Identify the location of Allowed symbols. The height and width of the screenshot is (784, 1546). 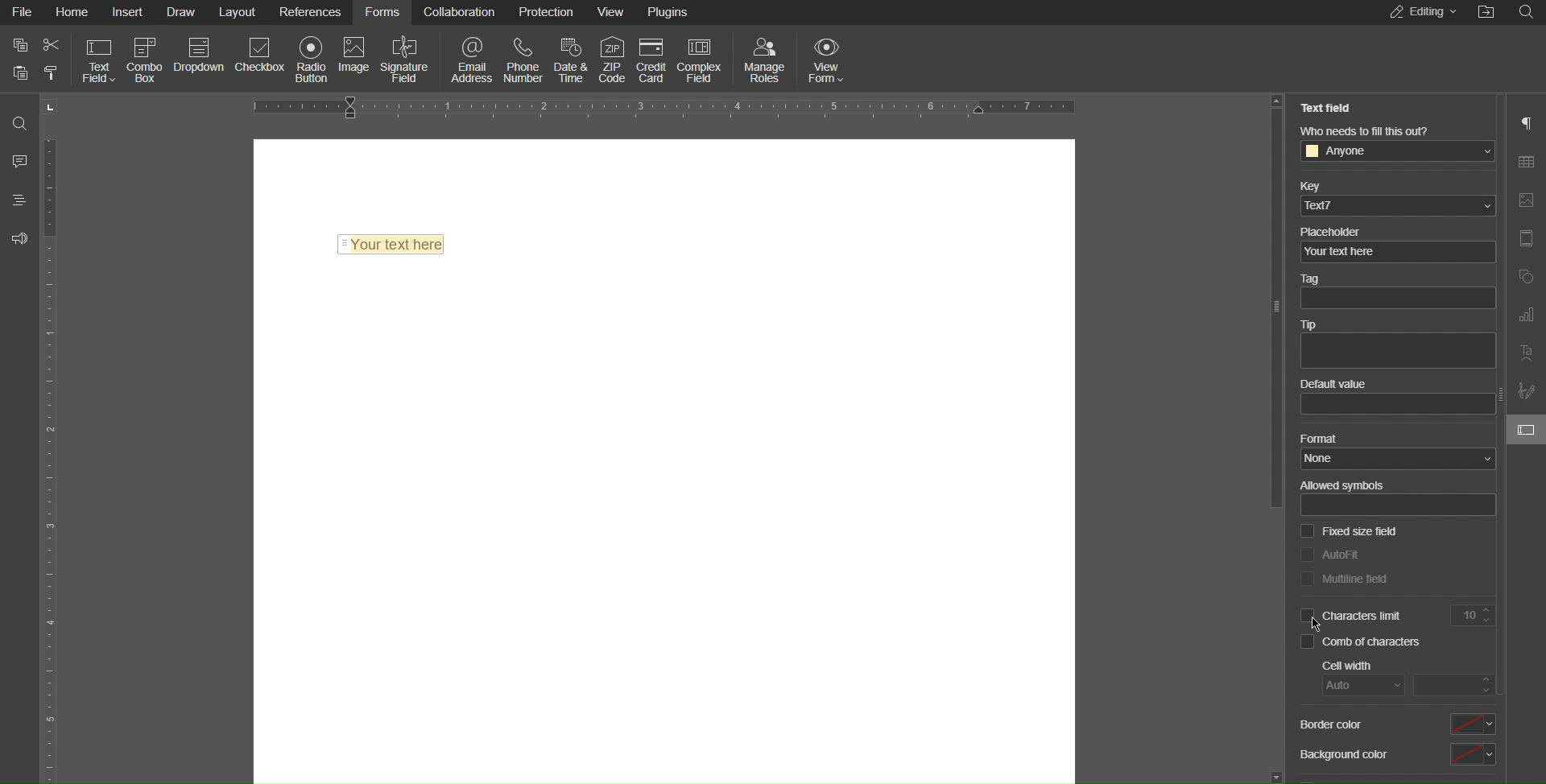
(1396, 497).